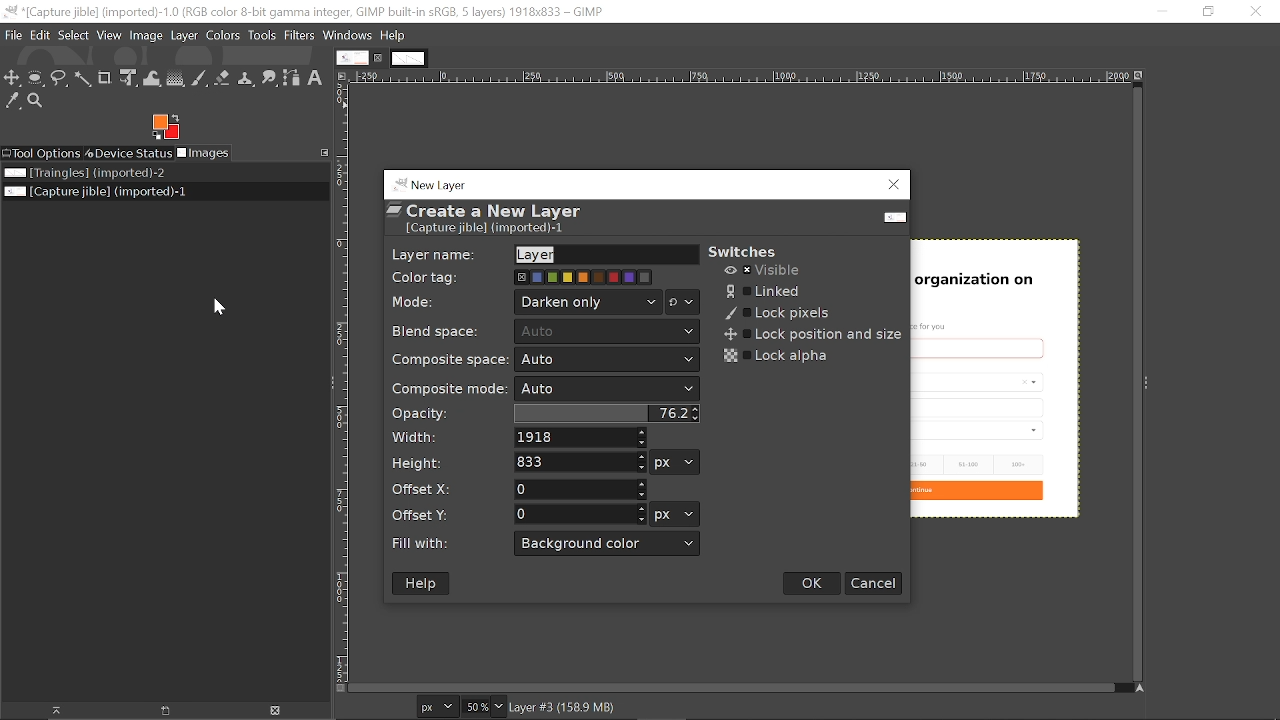 The width and height of the screenshot is (1280, 720). I want to click on Navigate this window, so click(1137, 688).